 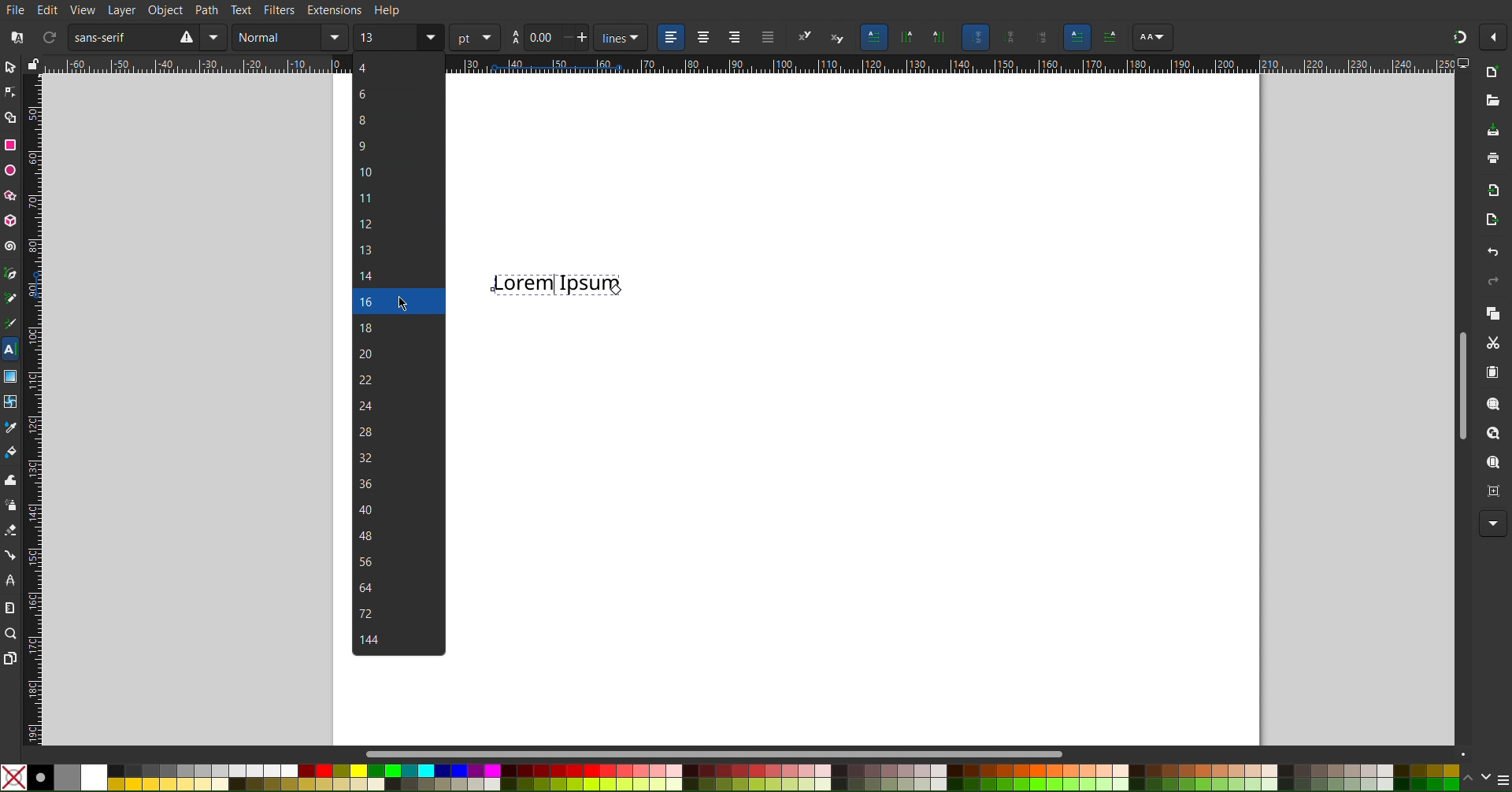 What do you see at coordinates (1492, 157) in the screenshot?
I see `Print` at bounding box center [1492, 157].